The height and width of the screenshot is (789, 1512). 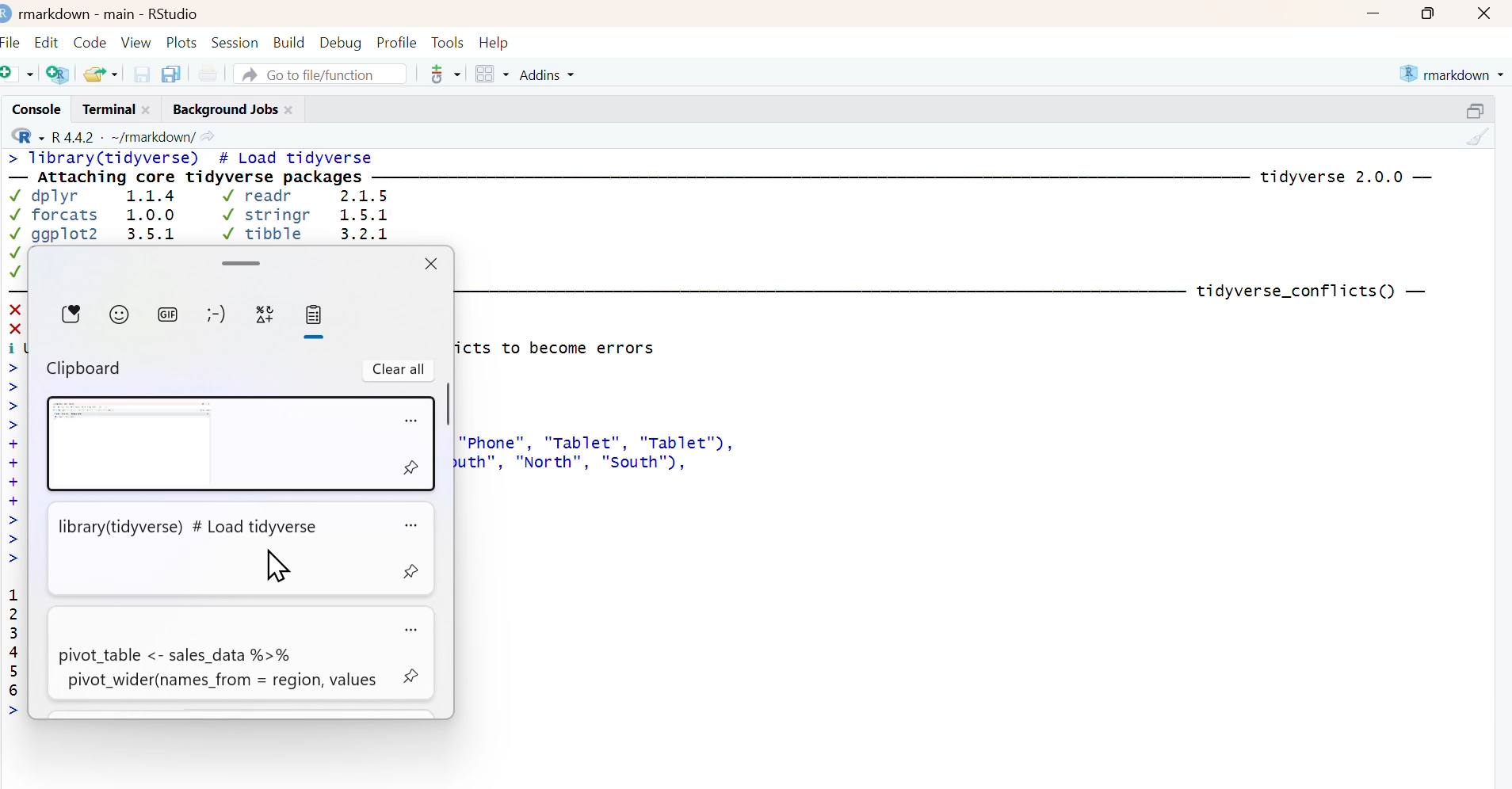 I want to click on emoticons, so click(x=218, y=316).